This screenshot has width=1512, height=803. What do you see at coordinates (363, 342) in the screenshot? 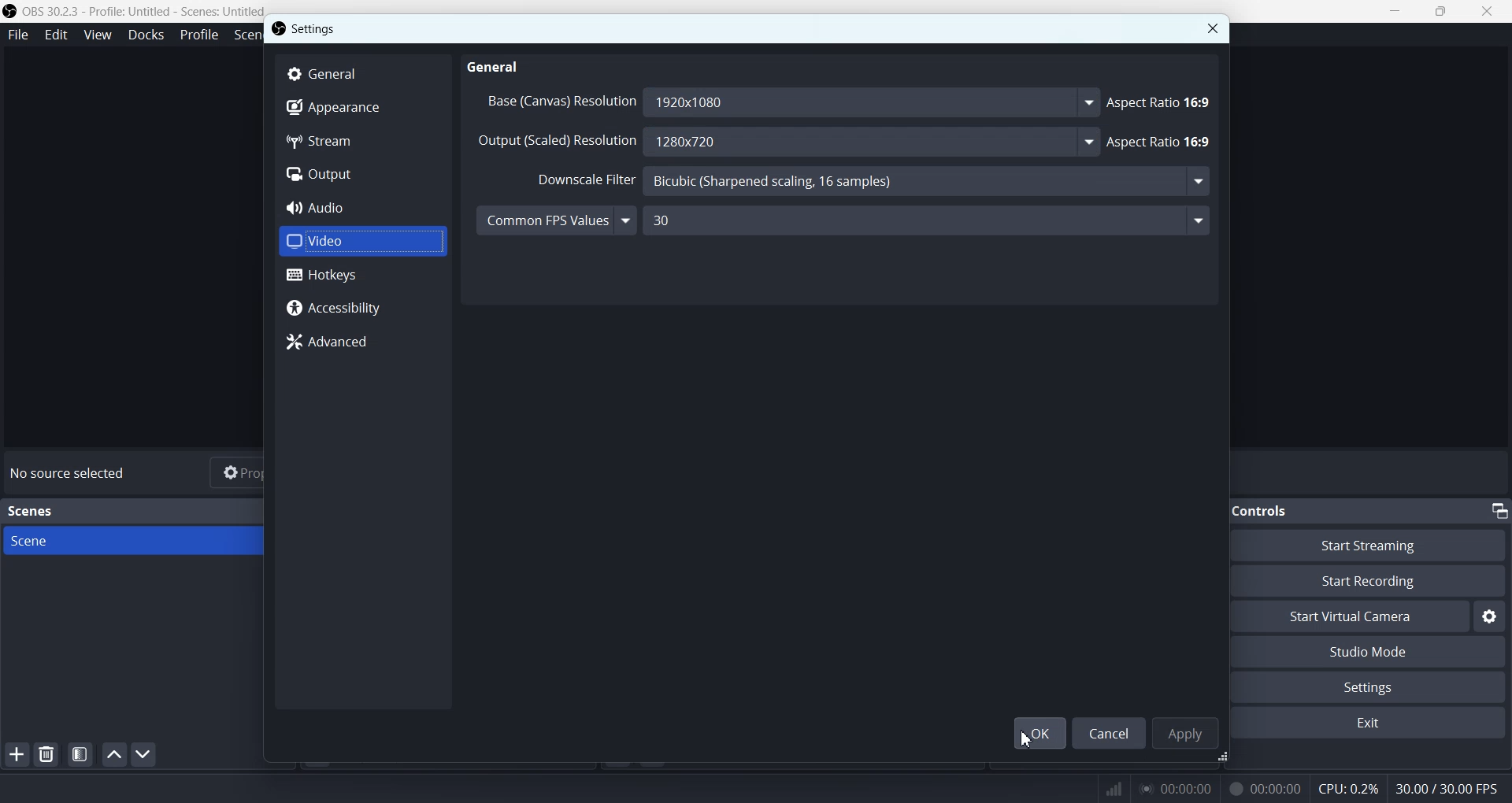
I see `Advanced` at bounding box center [363, 342].